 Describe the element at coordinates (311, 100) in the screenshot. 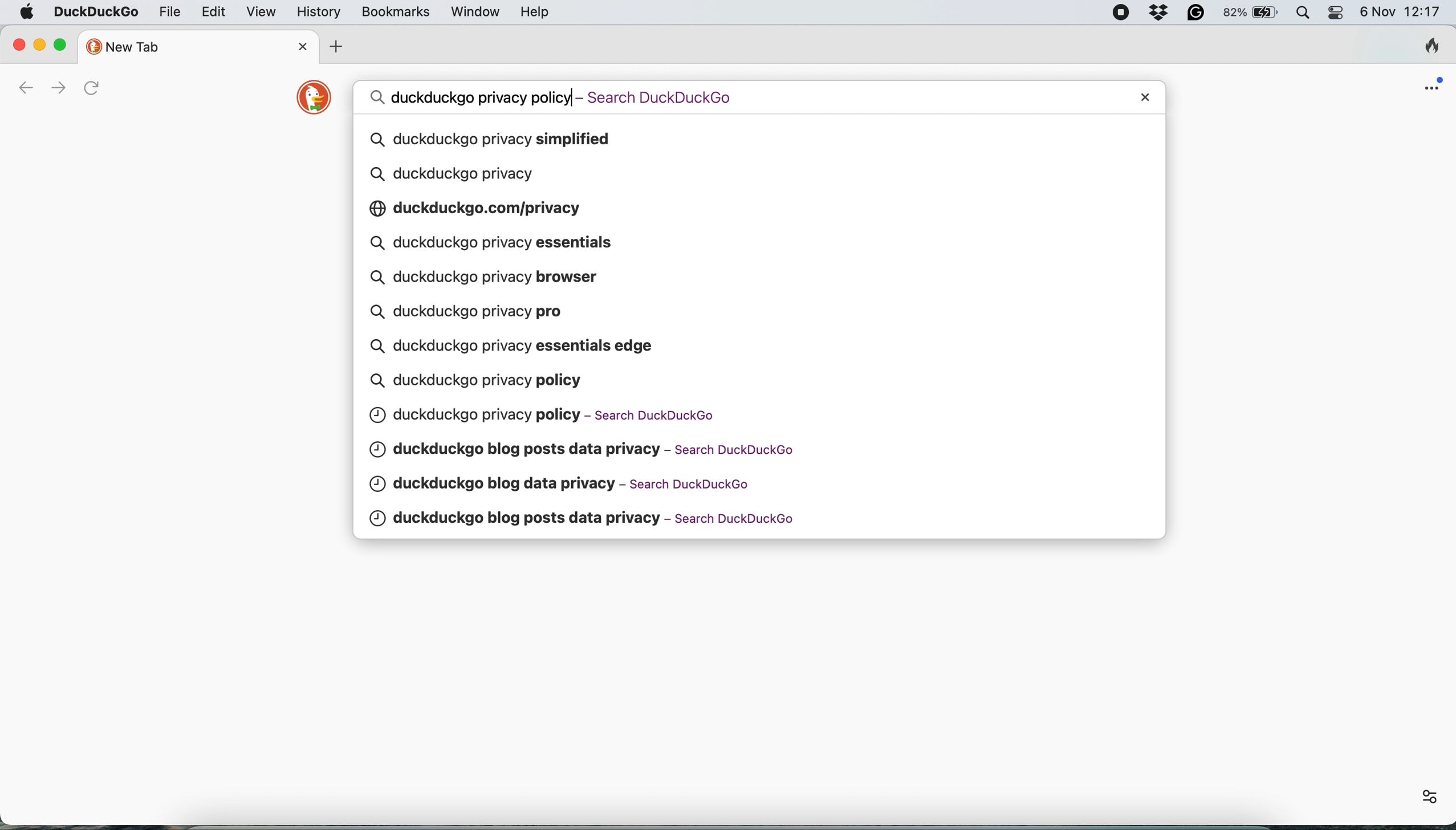

I see `duckduckgo logo` at that location.